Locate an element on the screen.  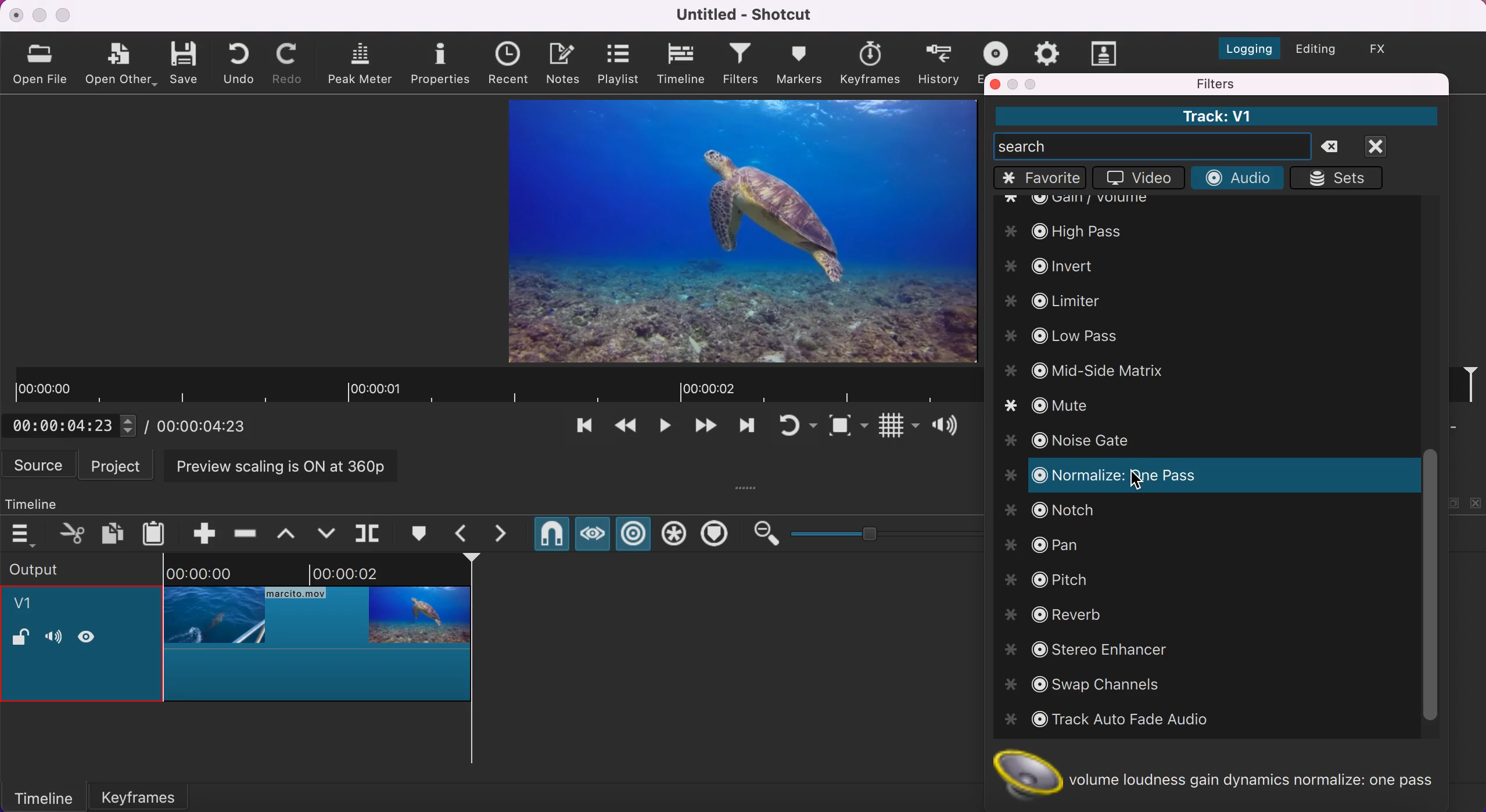
maximize is located at coordinates (1033, 84).